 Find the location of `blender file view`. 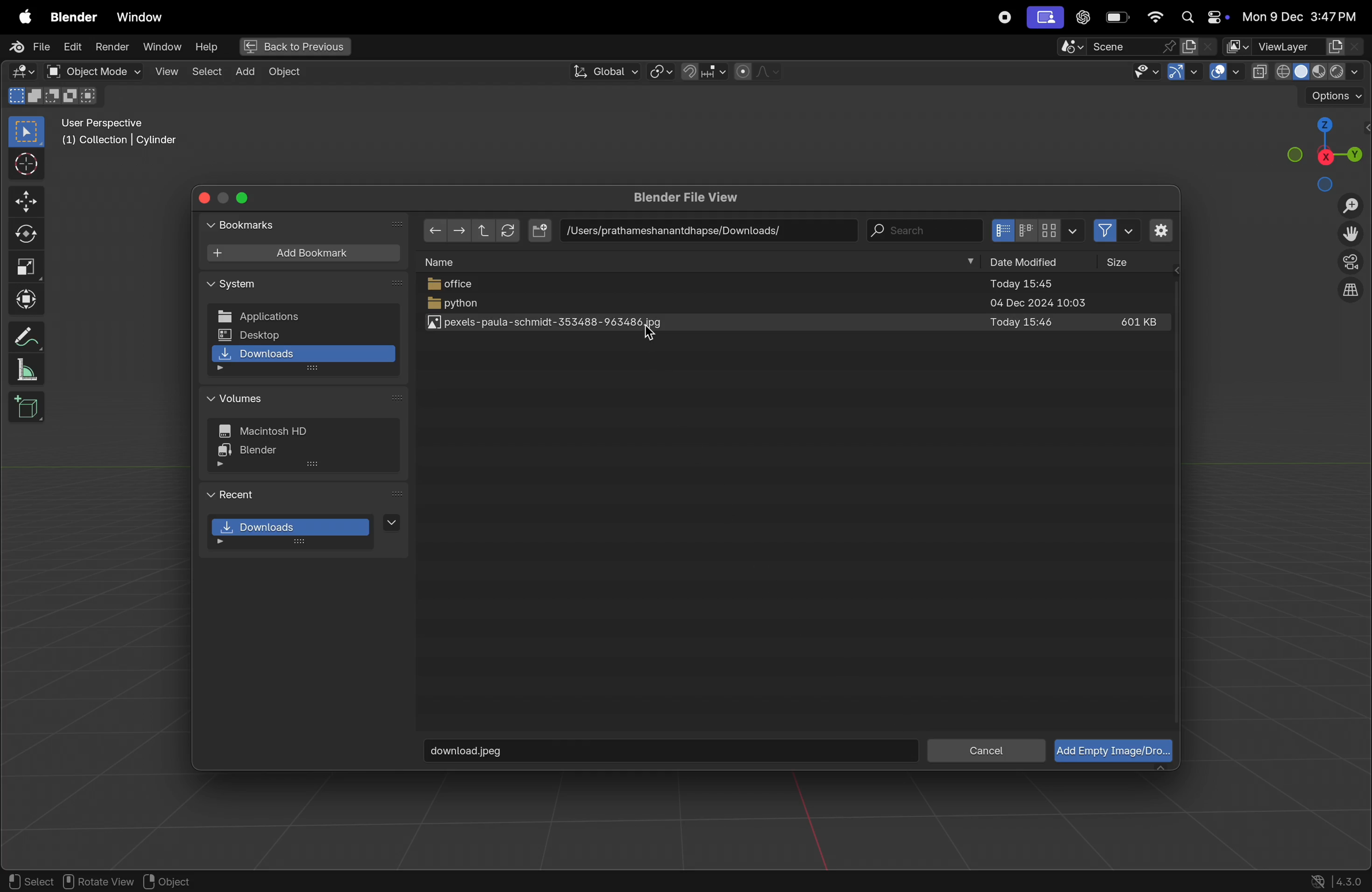

blender file view is located at coordinates (696, 198).